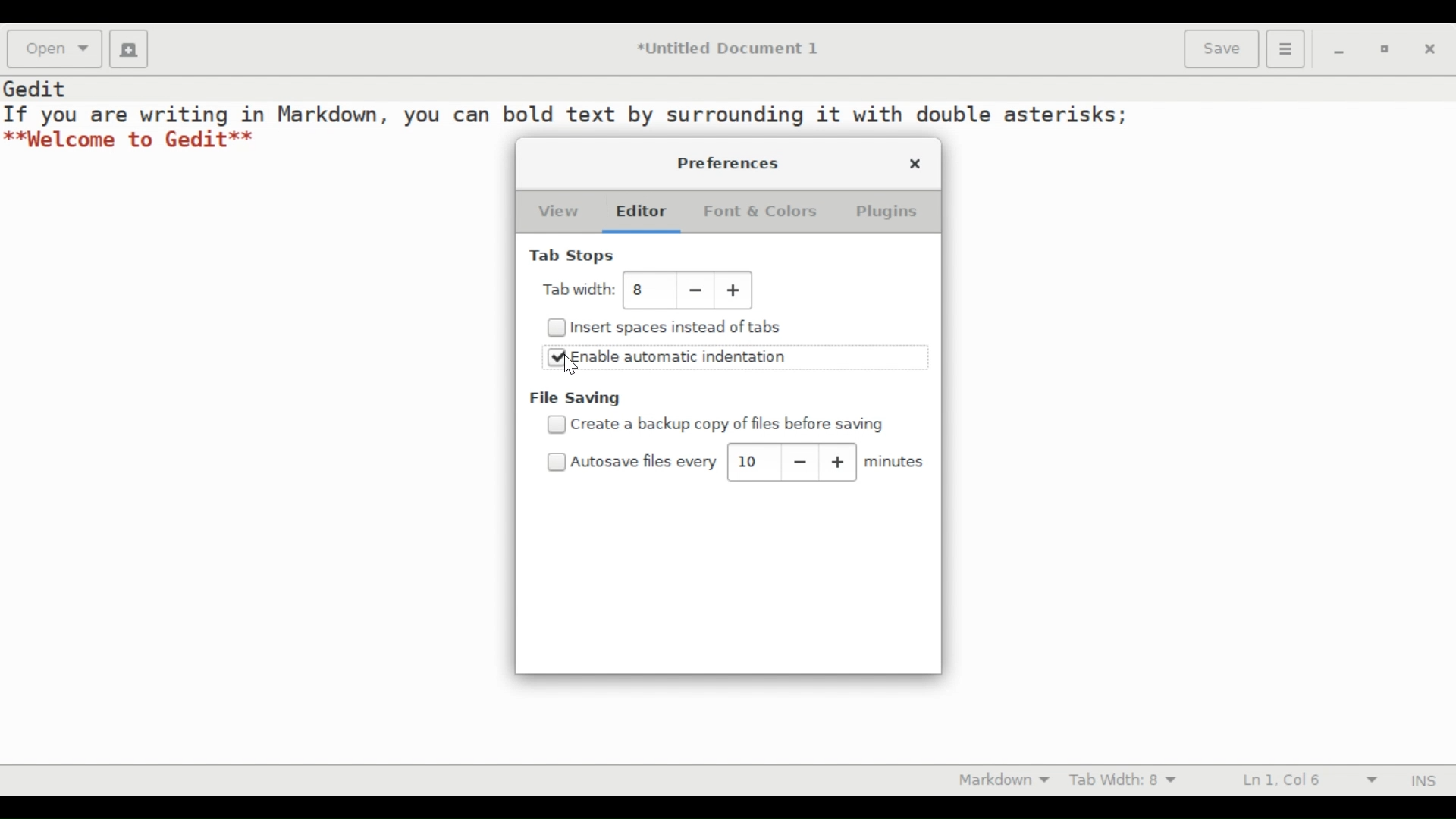  What do you see at coordinates (566, 113) in the screenshot?
I see `If you are writing in Markdown, you can bold text by surrounding it with double asterisks;` at bounding box center [566, 113].